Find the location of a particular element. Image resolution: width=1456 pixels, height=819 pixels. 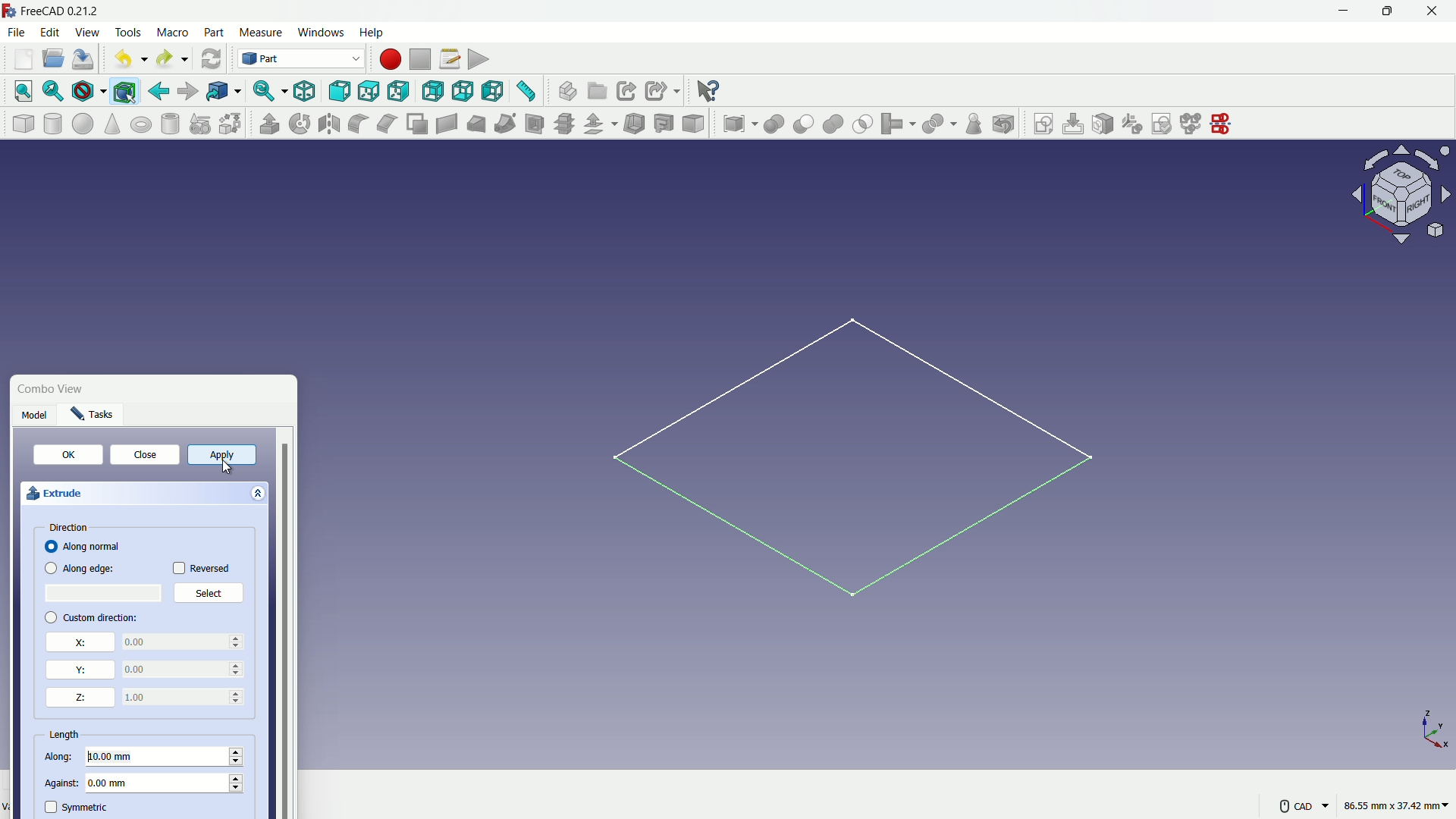

direction properties is located at coordinates (76, 529).